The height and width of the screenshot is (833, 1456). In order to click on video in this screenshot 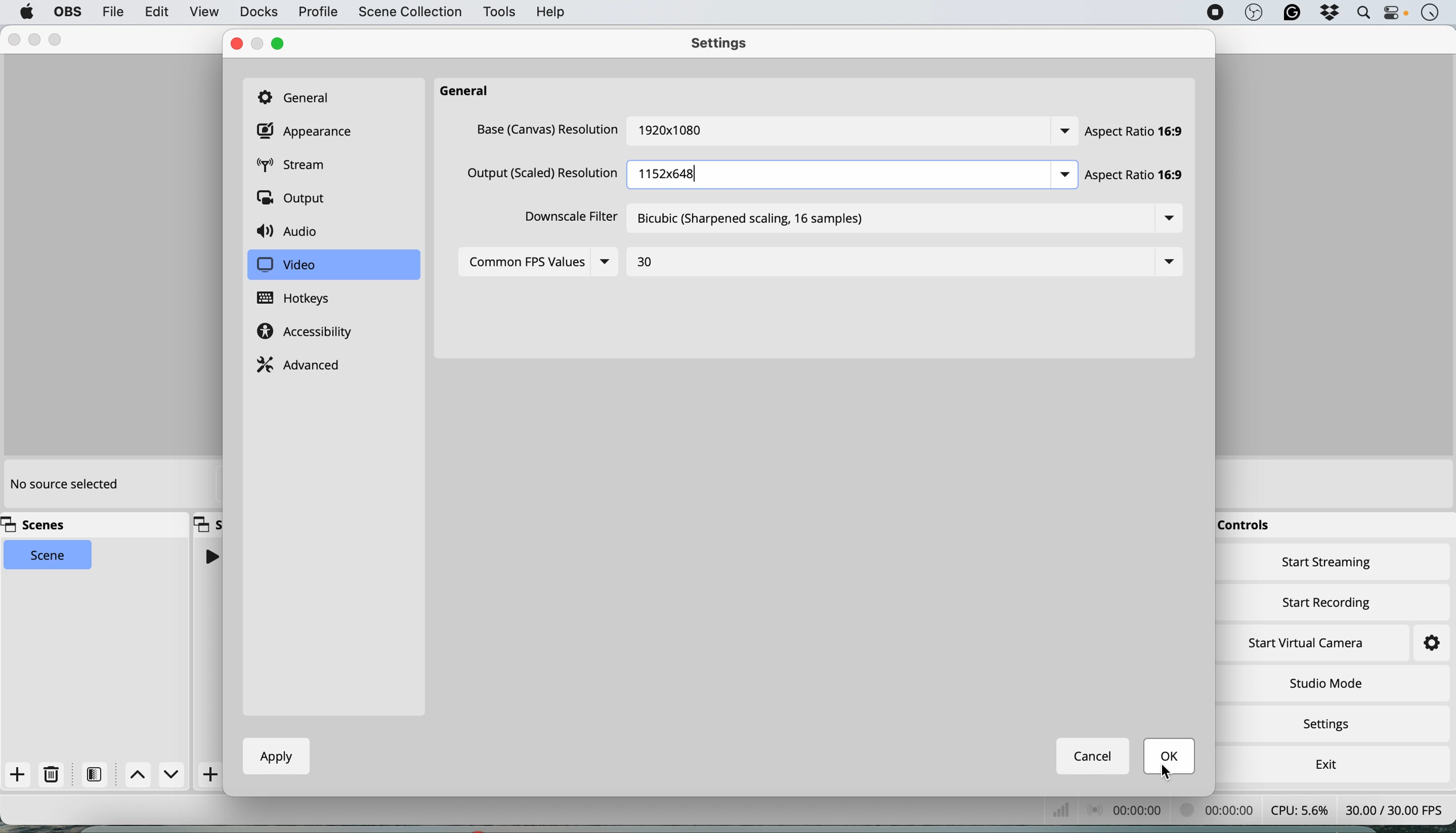, I will do `click(286, 265)`.